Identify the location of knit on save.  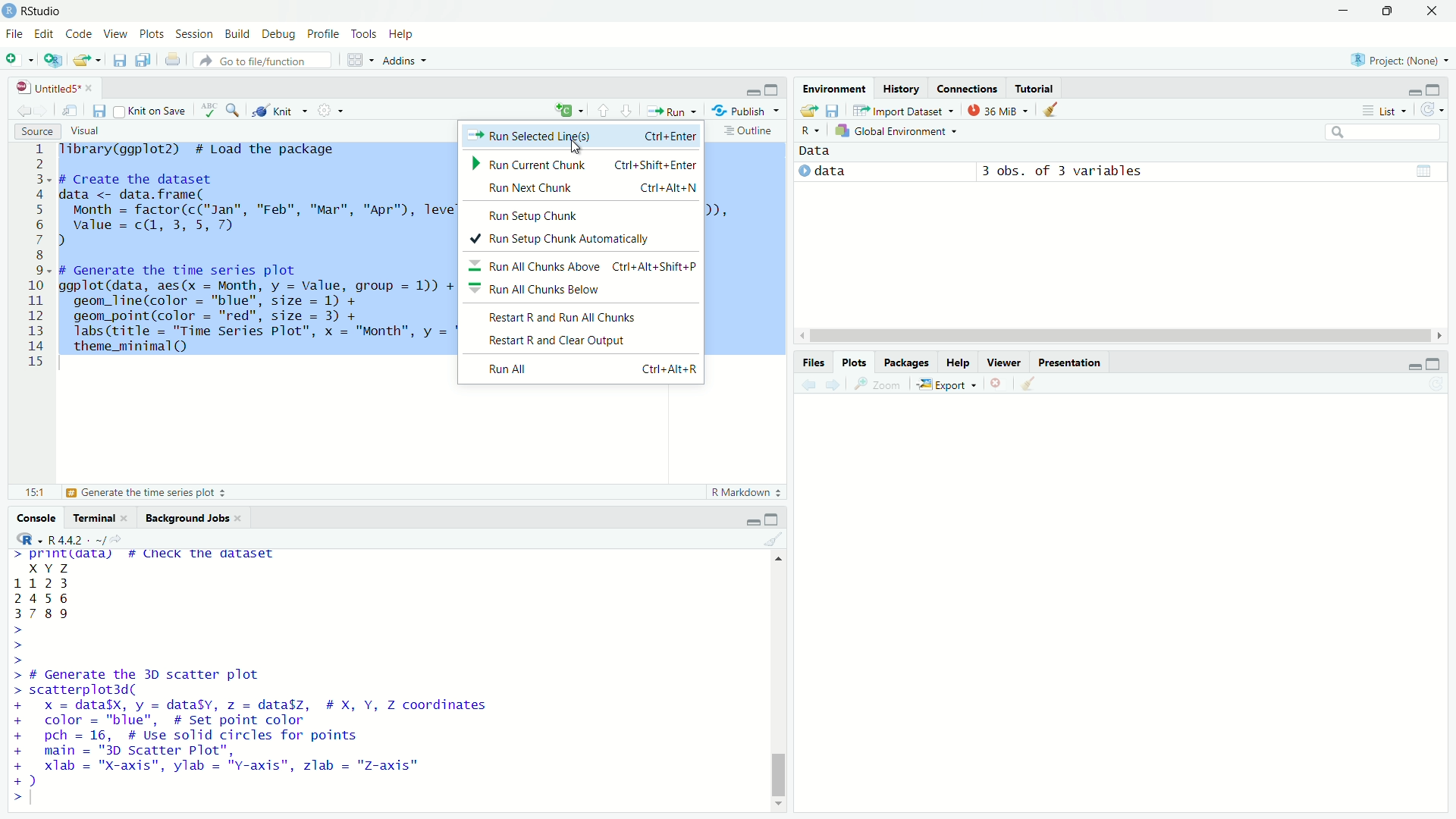
(150, 111).